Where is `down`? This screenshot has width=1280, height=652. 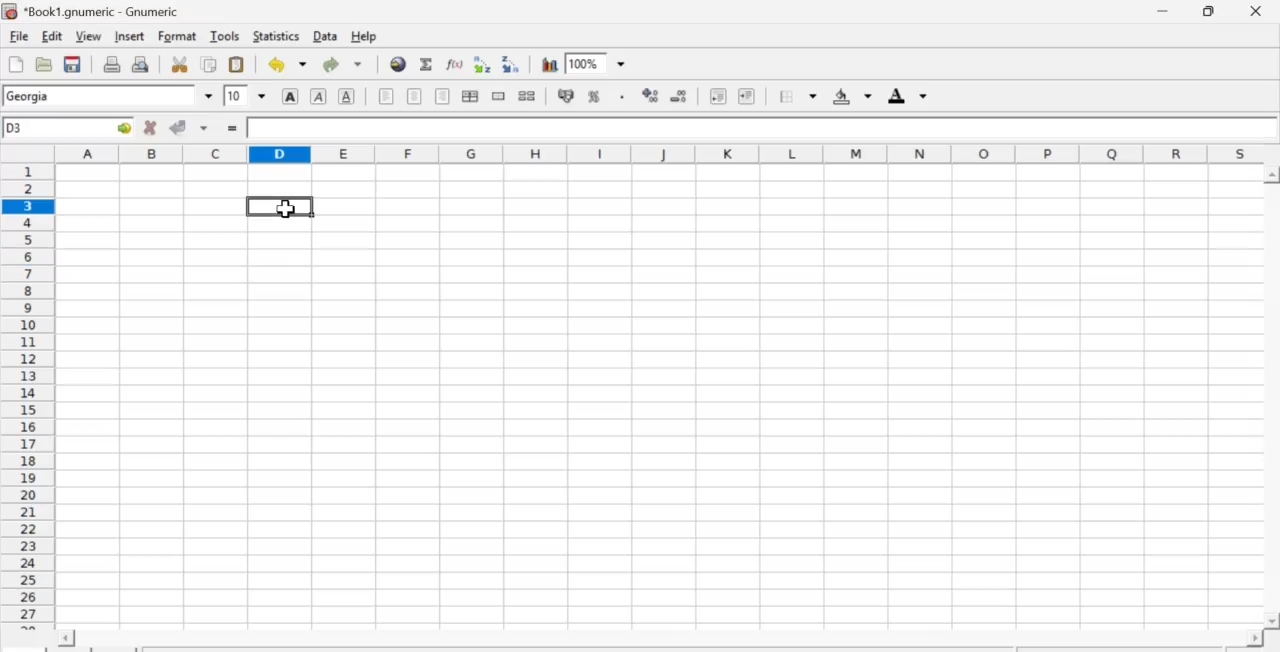
down is located at coordinates (207, 96).